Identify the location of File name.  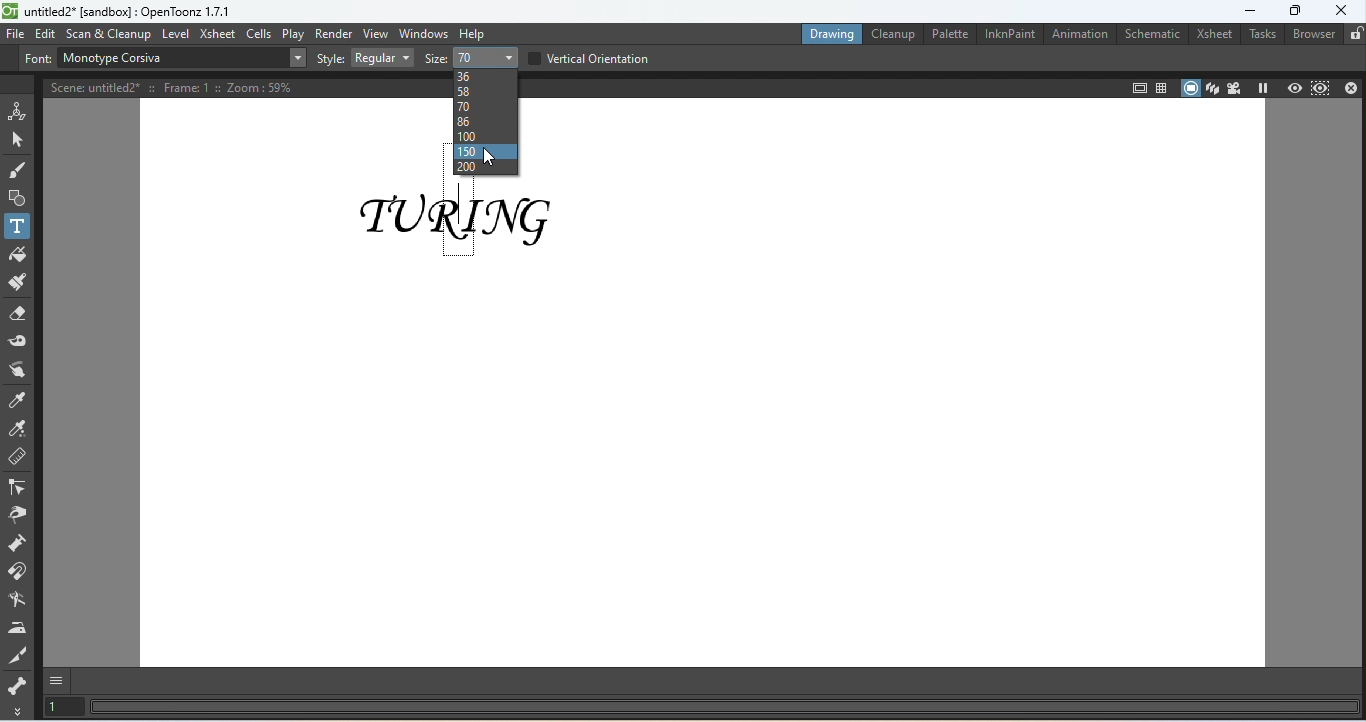
(119, 10).